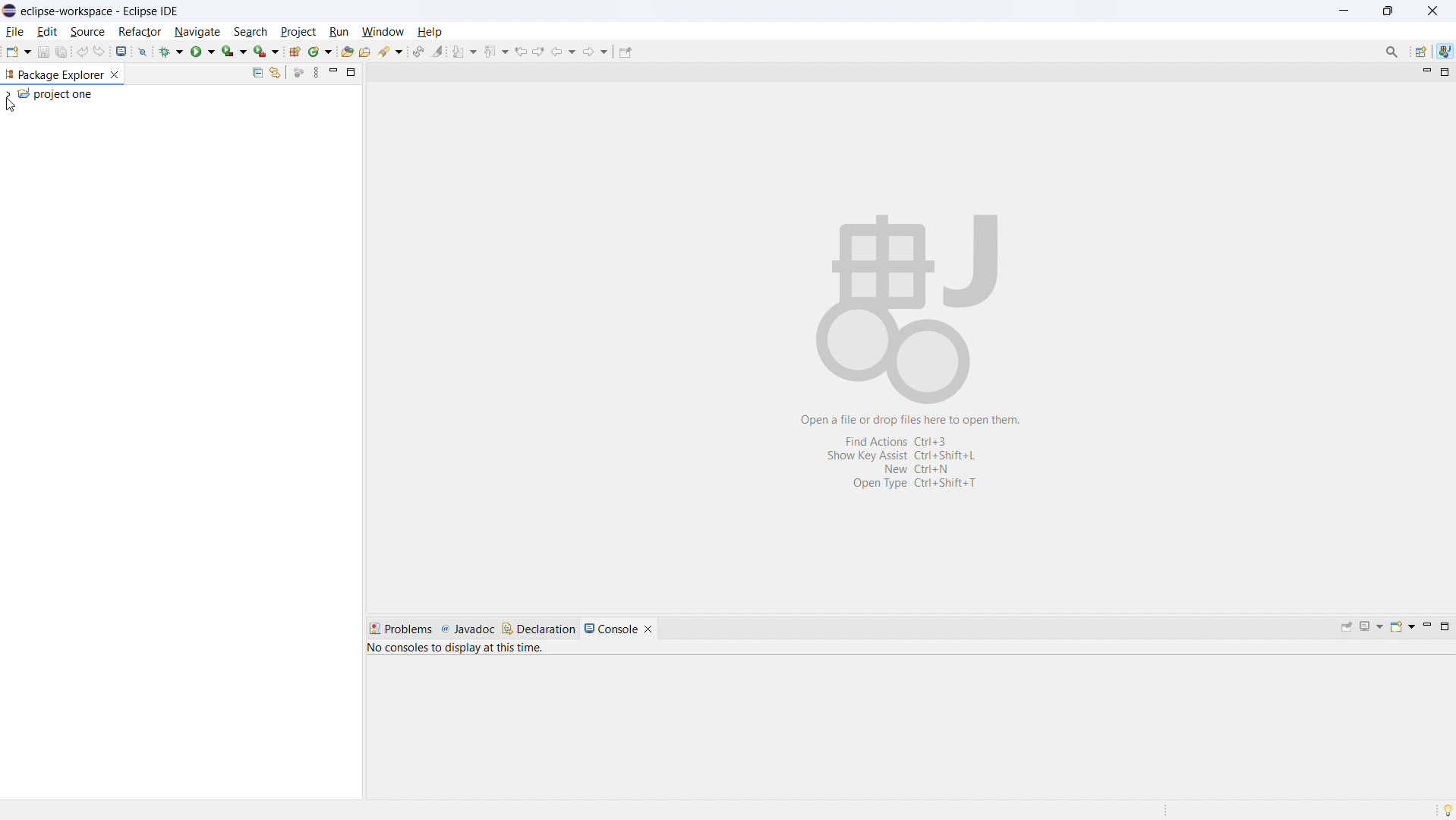 Image resolution: width=1456 pixels, height=820 pixels. I want to click on run, so click(335, 30).